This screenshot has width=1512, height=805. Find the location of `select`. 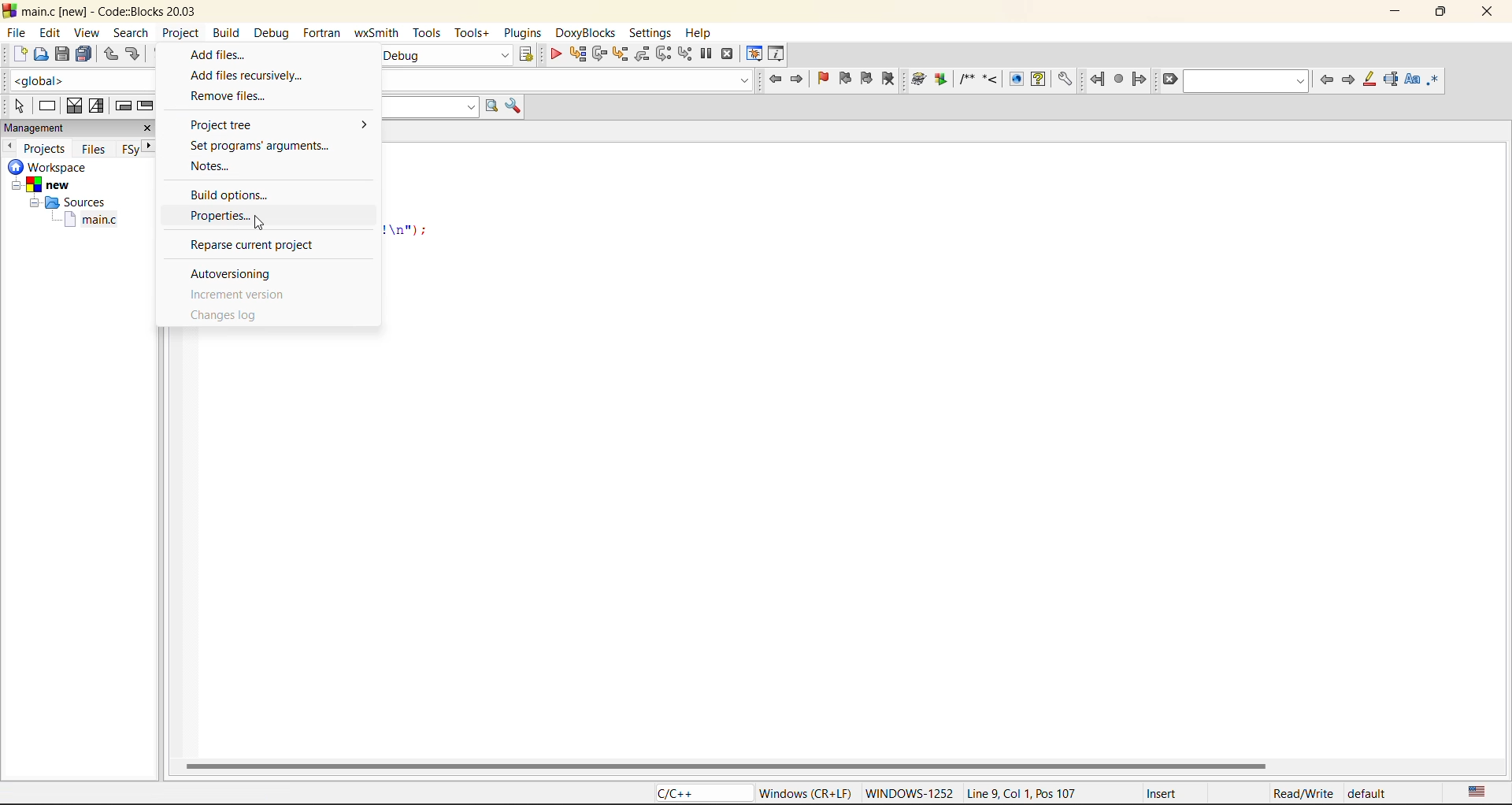

select is located at coordinates (15, 103).